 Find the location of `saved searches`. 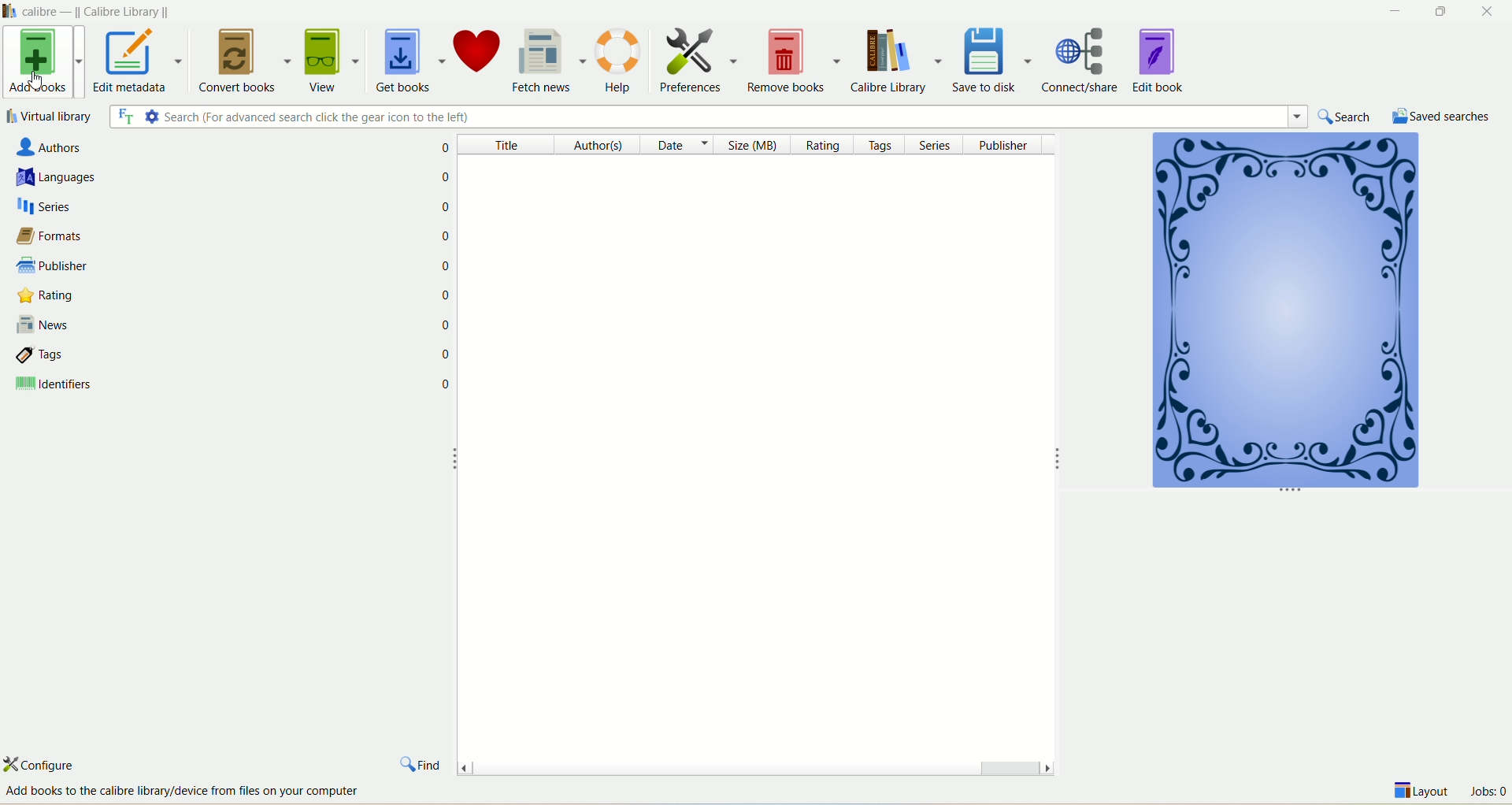

saved searches is located at coordinates (1442, 115).